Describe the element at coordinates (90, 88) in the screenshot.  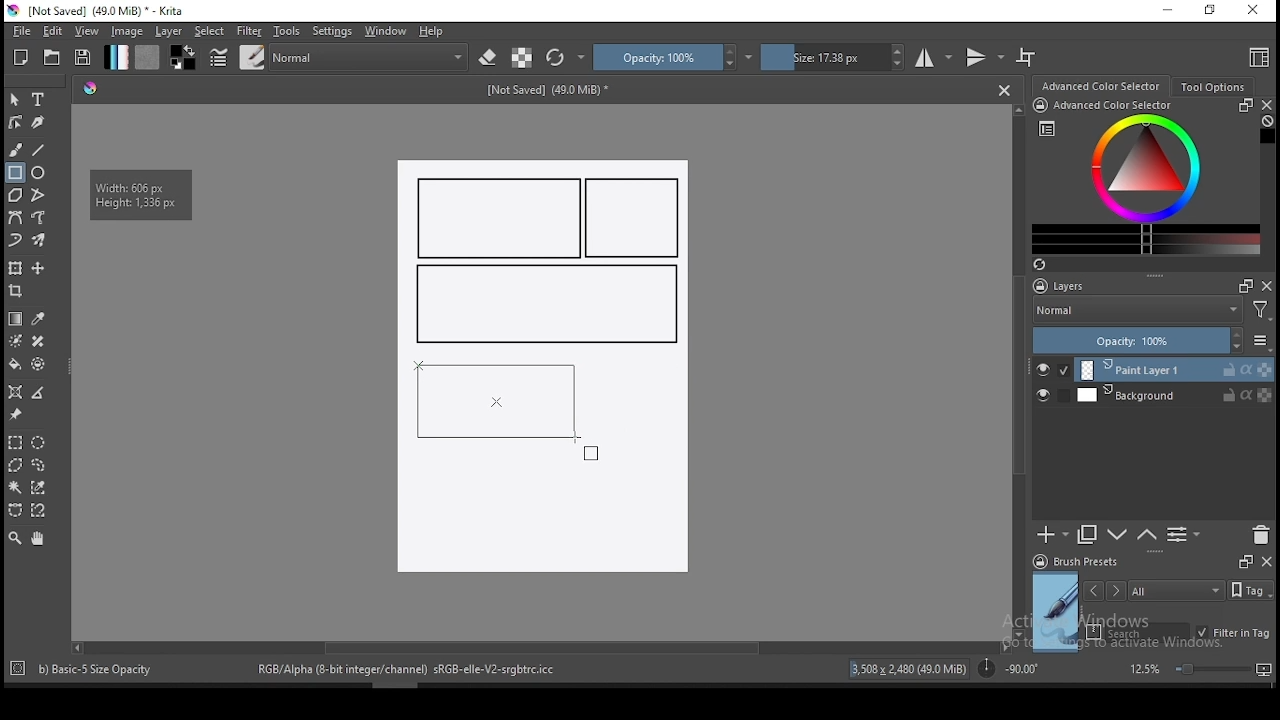
I see `Hue` at that location.